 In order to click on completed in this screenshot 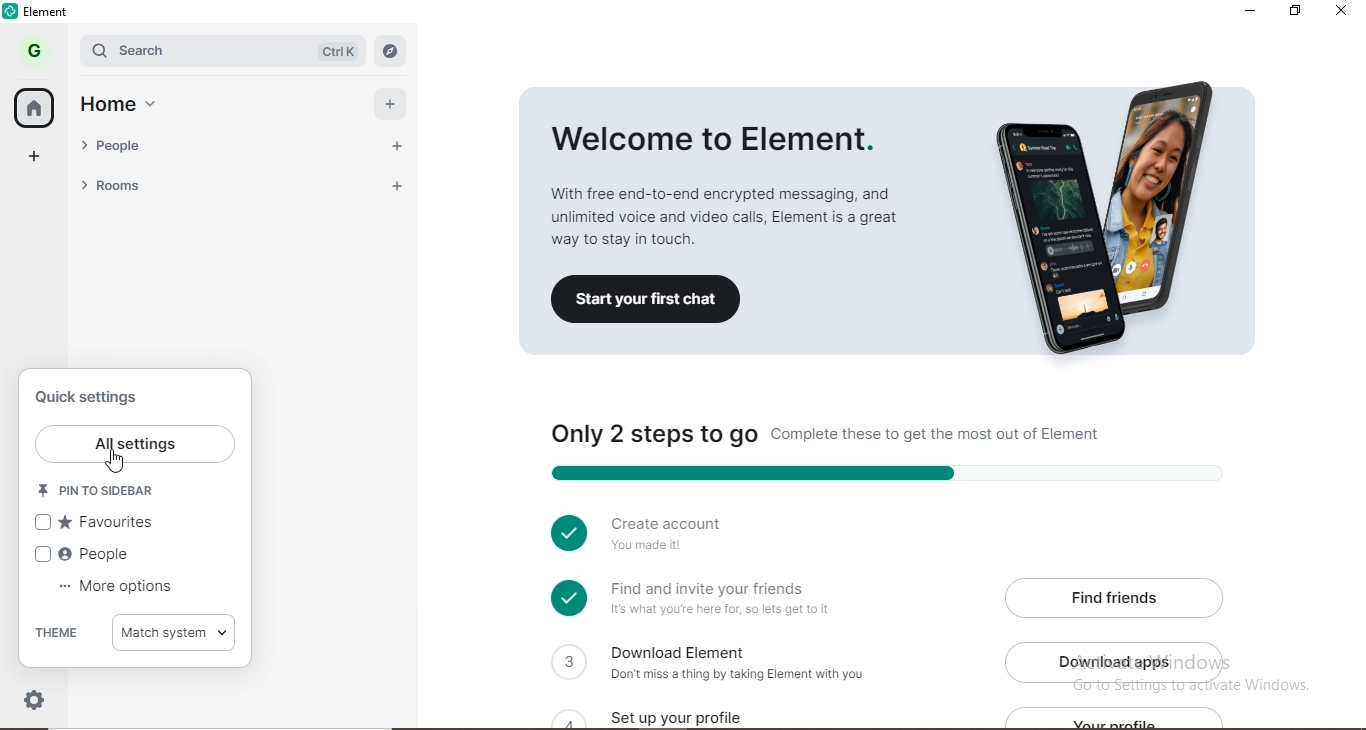, I will do `click(564, 530)`.